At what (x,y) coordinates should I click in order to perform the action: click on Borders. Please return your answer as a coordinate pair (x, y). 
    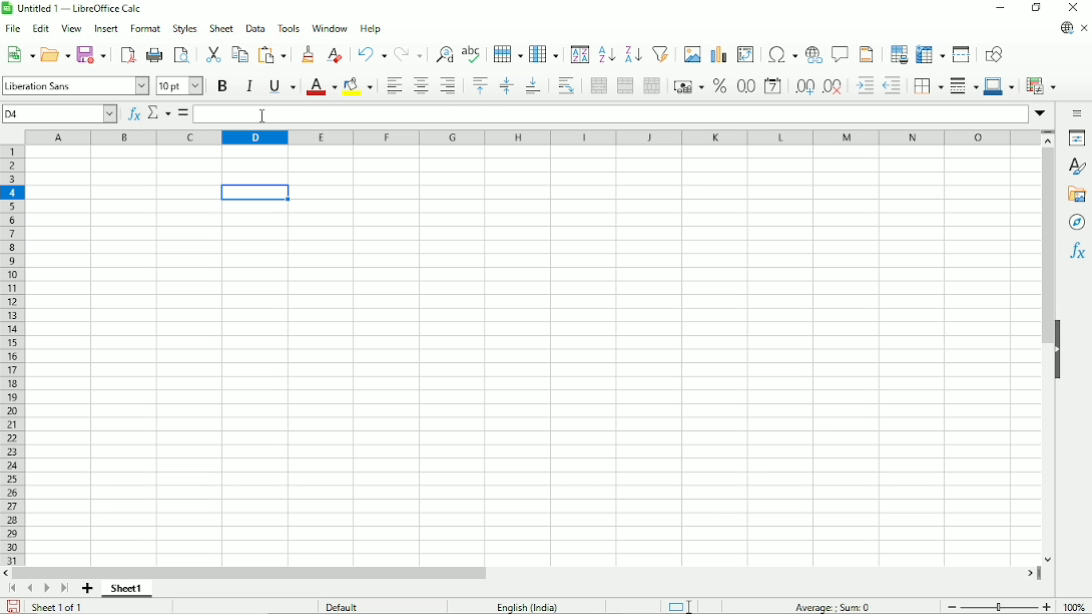
    Looking at the image, I should click on (930, 87).